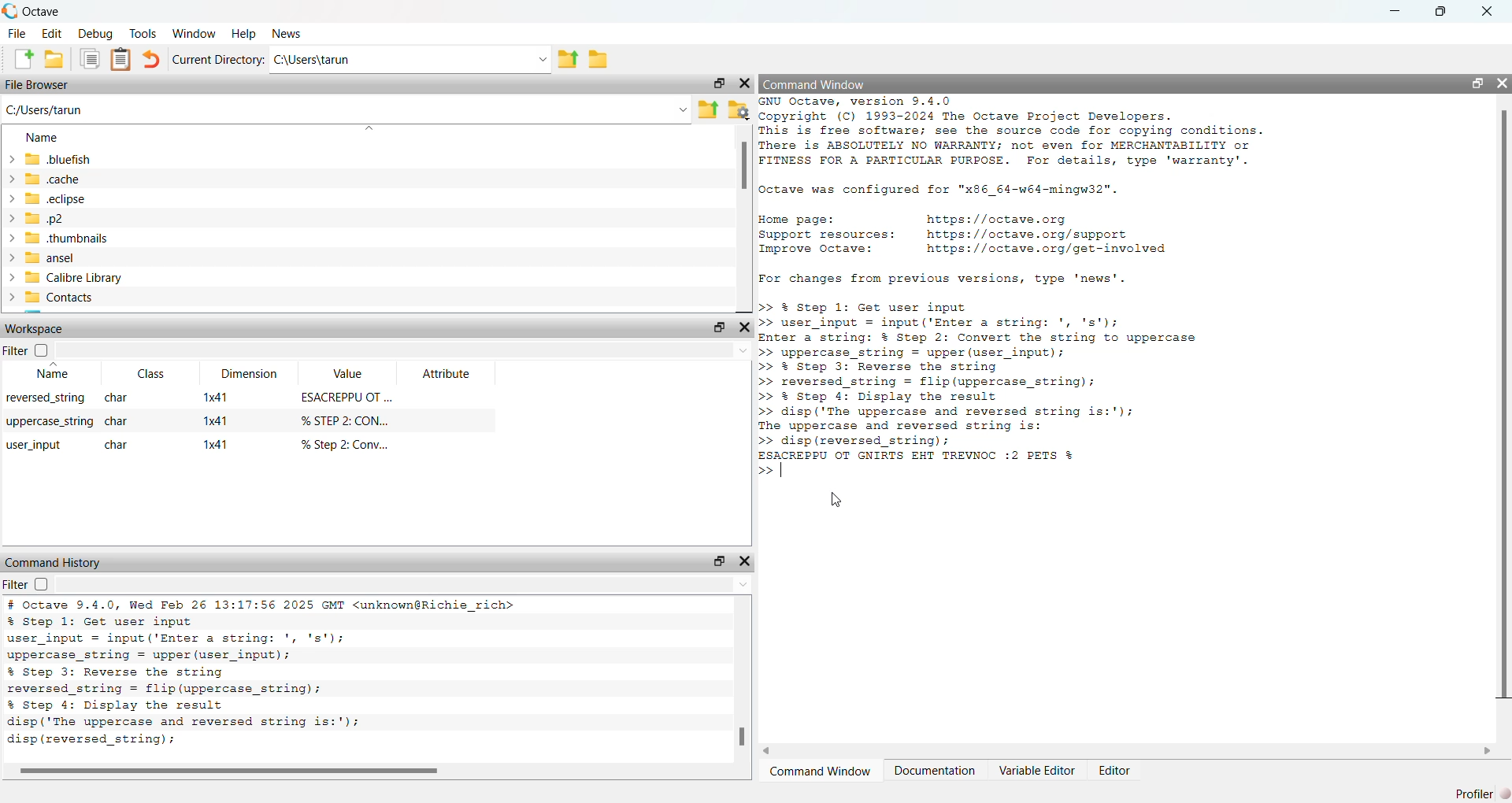 The width and height of the screenshot is (1512, 803). Describe the element at coordinates (1008, 131) in the screenshot. I see `details of octave version and copyright` at that location.